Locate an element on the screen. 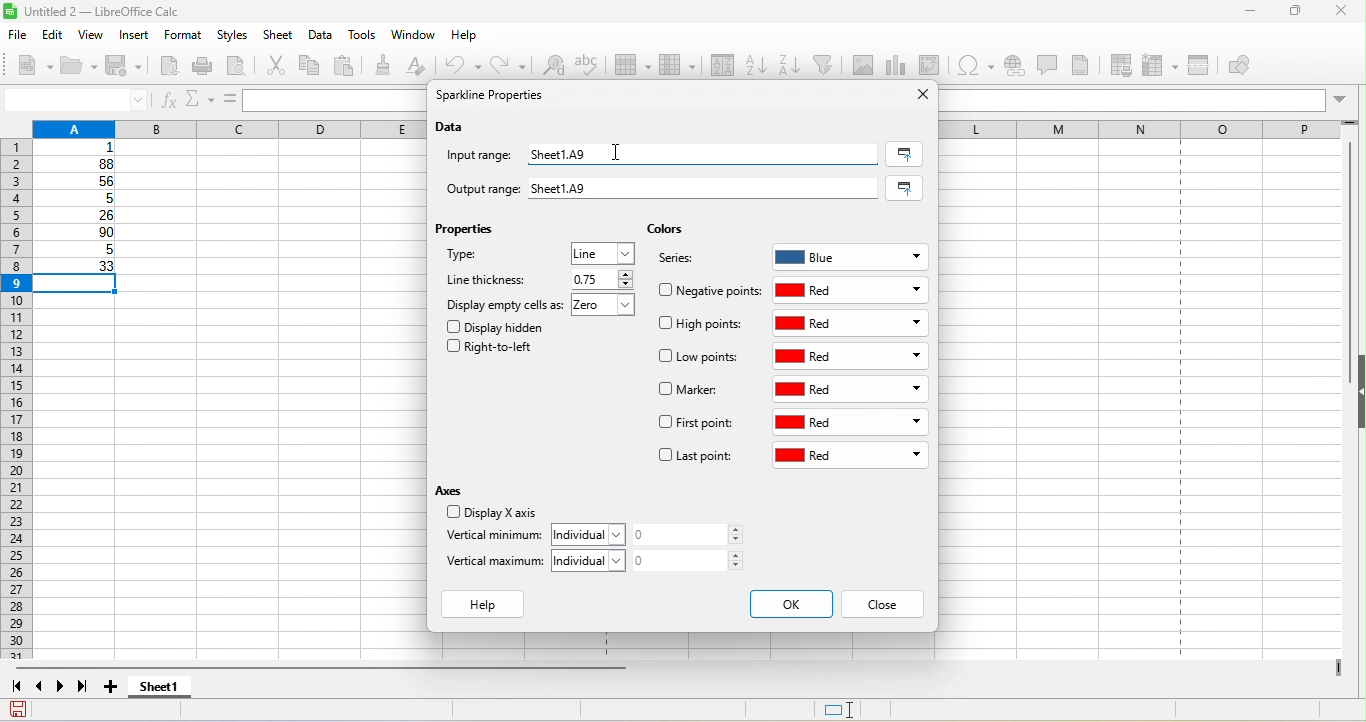 Image resolution: width=1366 pixels, height=722 pixels. properties is located at coordinates (469, 233).